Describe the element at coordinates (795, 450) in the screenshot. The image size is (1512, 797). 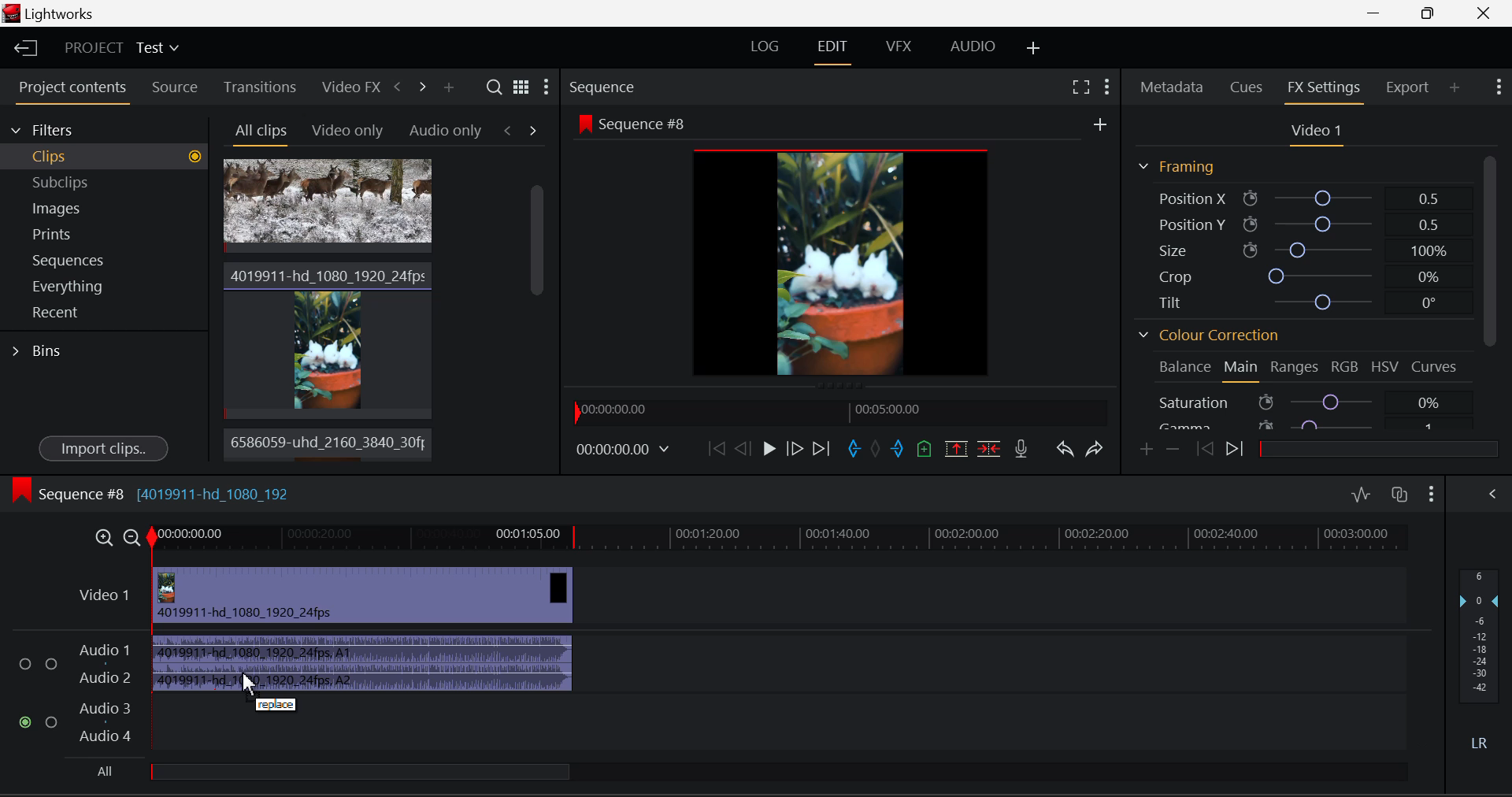
I see `Go Forward` at that location.